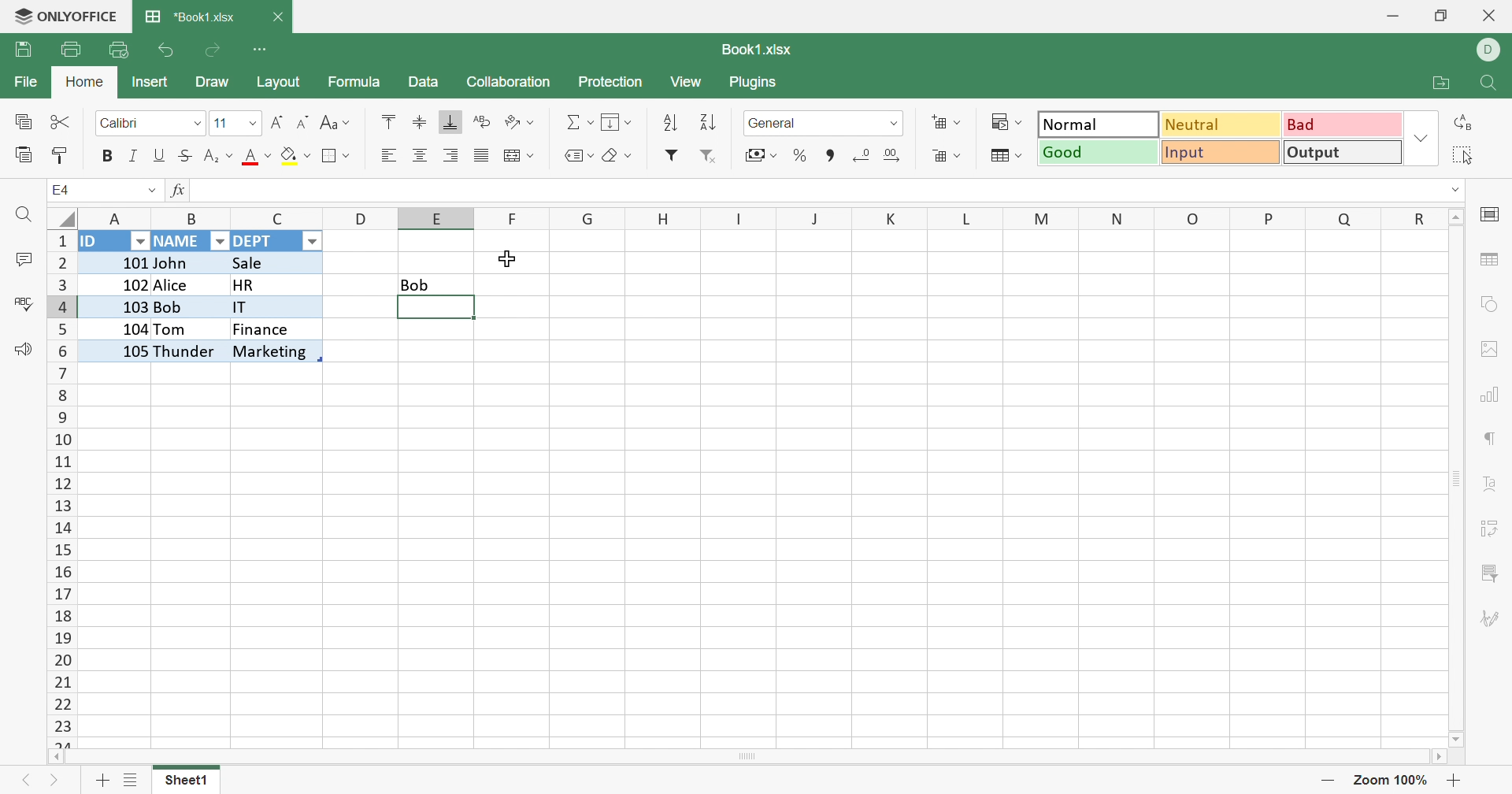 This screenshot has height=794, width=1512. I want to click on Sale, so click(257, 262).